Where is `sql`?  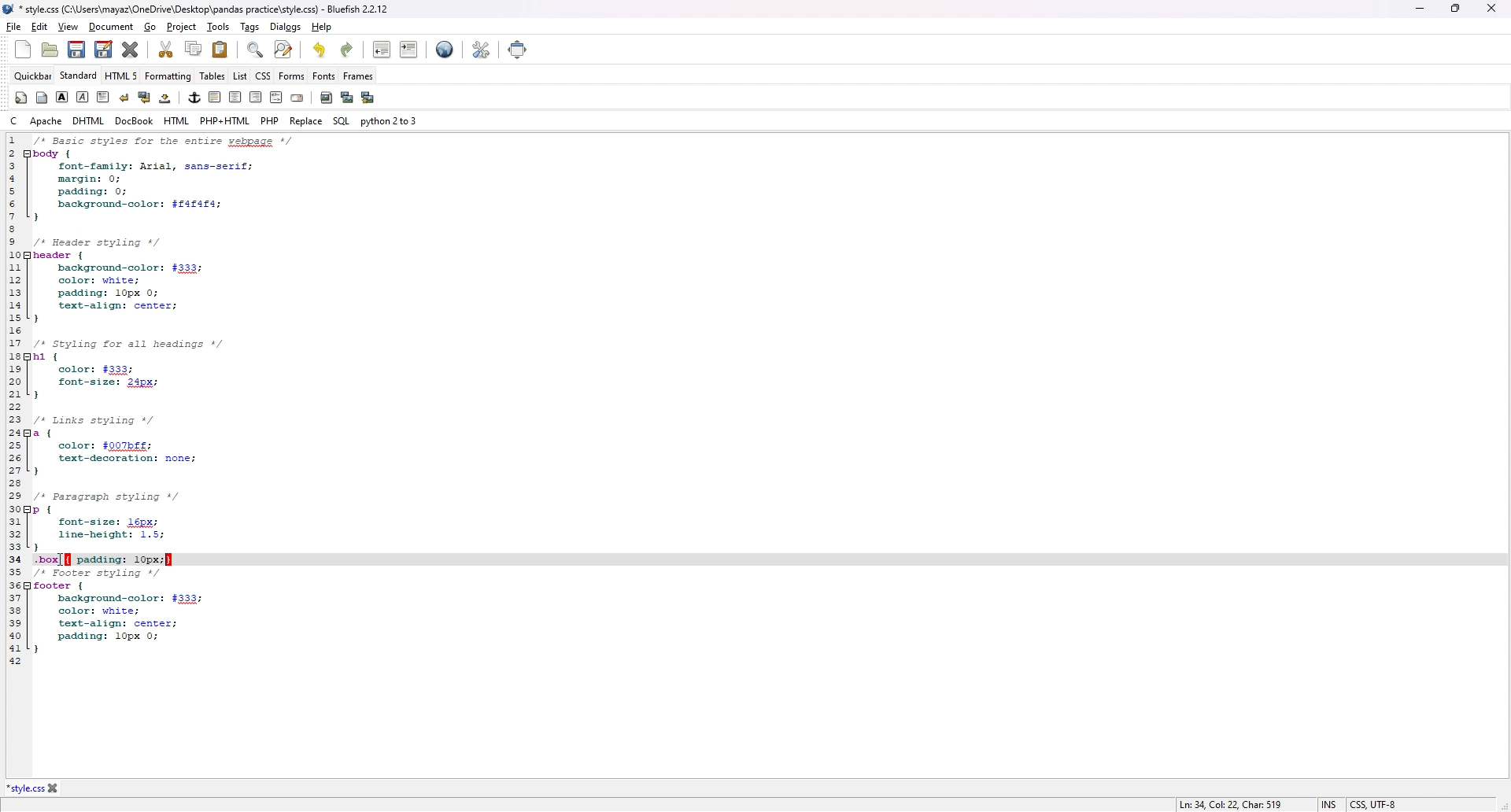 sql is located at coordinates (341, 122).